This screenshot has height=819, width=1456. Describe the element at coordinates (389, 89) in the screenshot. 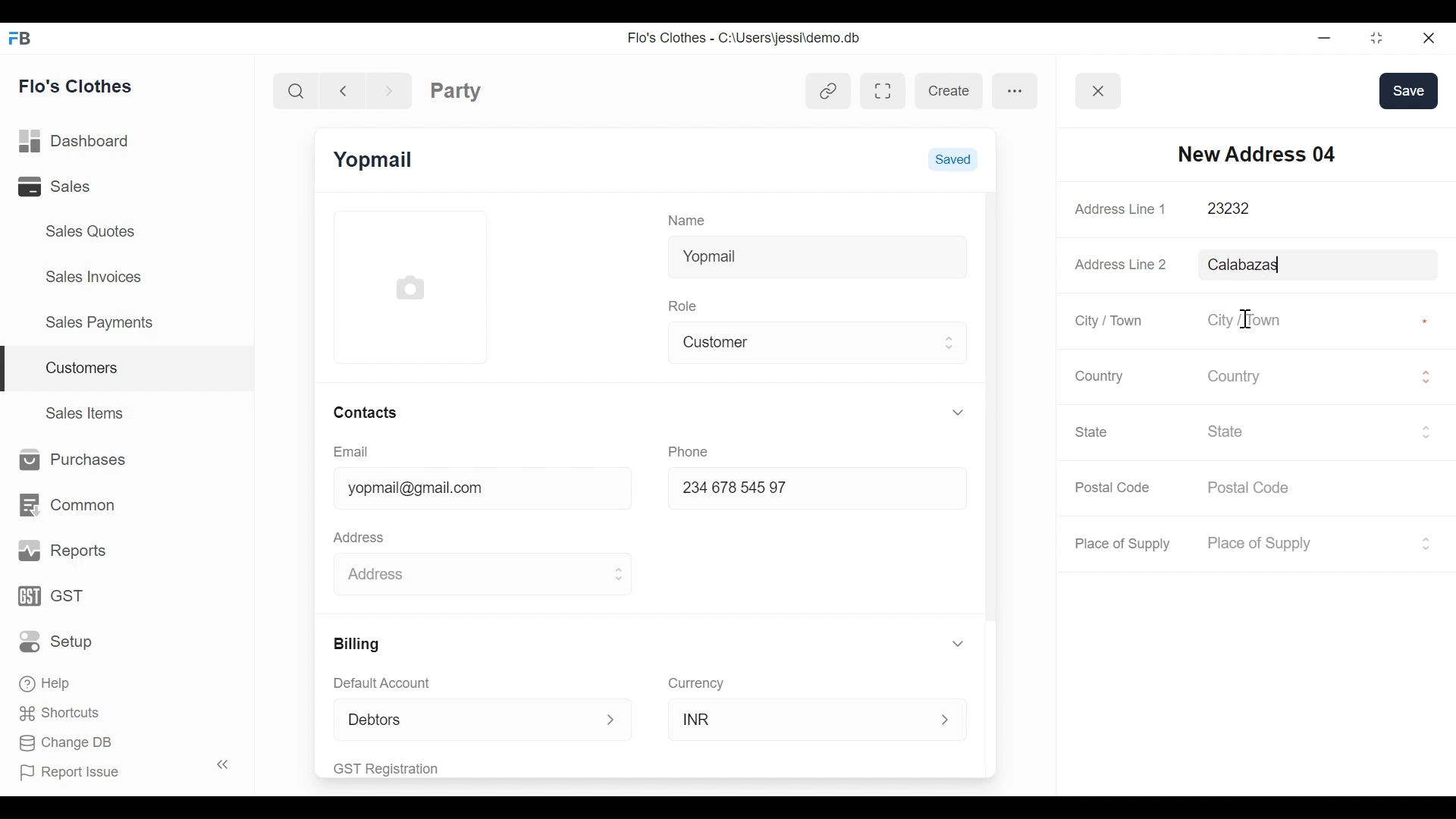

I see `Navigate Forward` at that location.